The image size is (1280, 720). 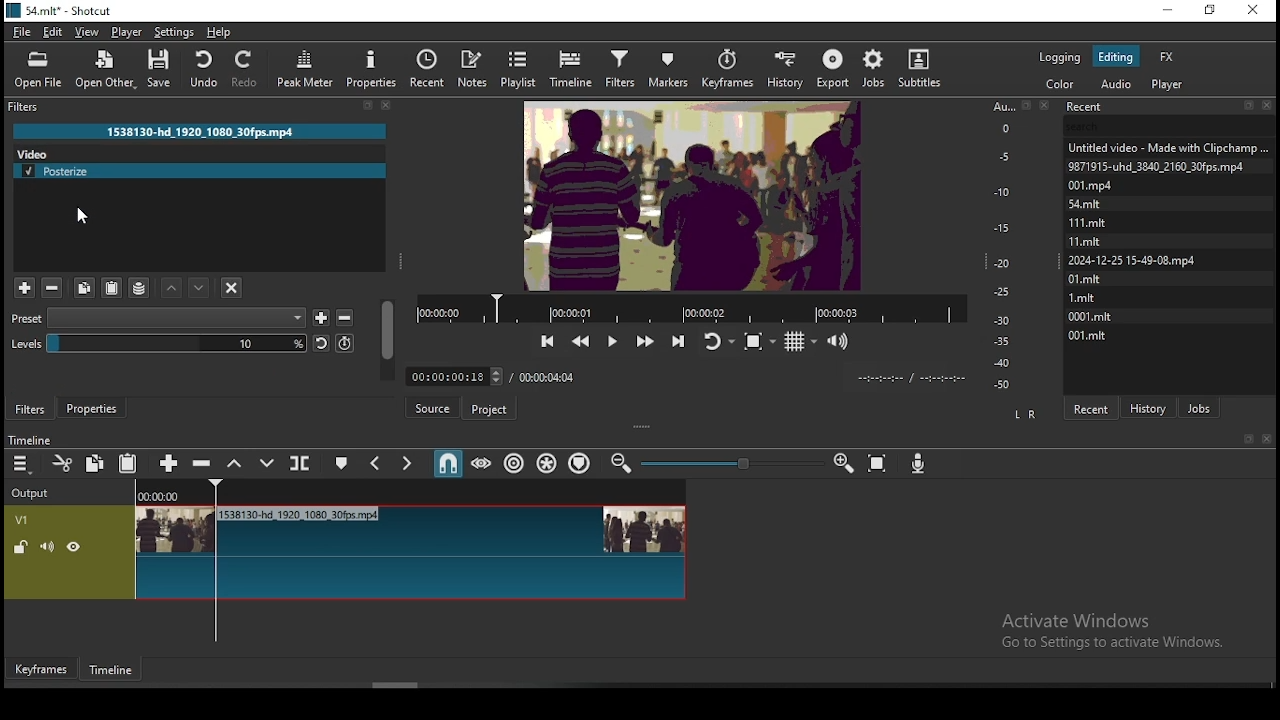 What do you see at coordinates (435, 407) in the screenshot?
I see `` at bounding box center [435, 407].